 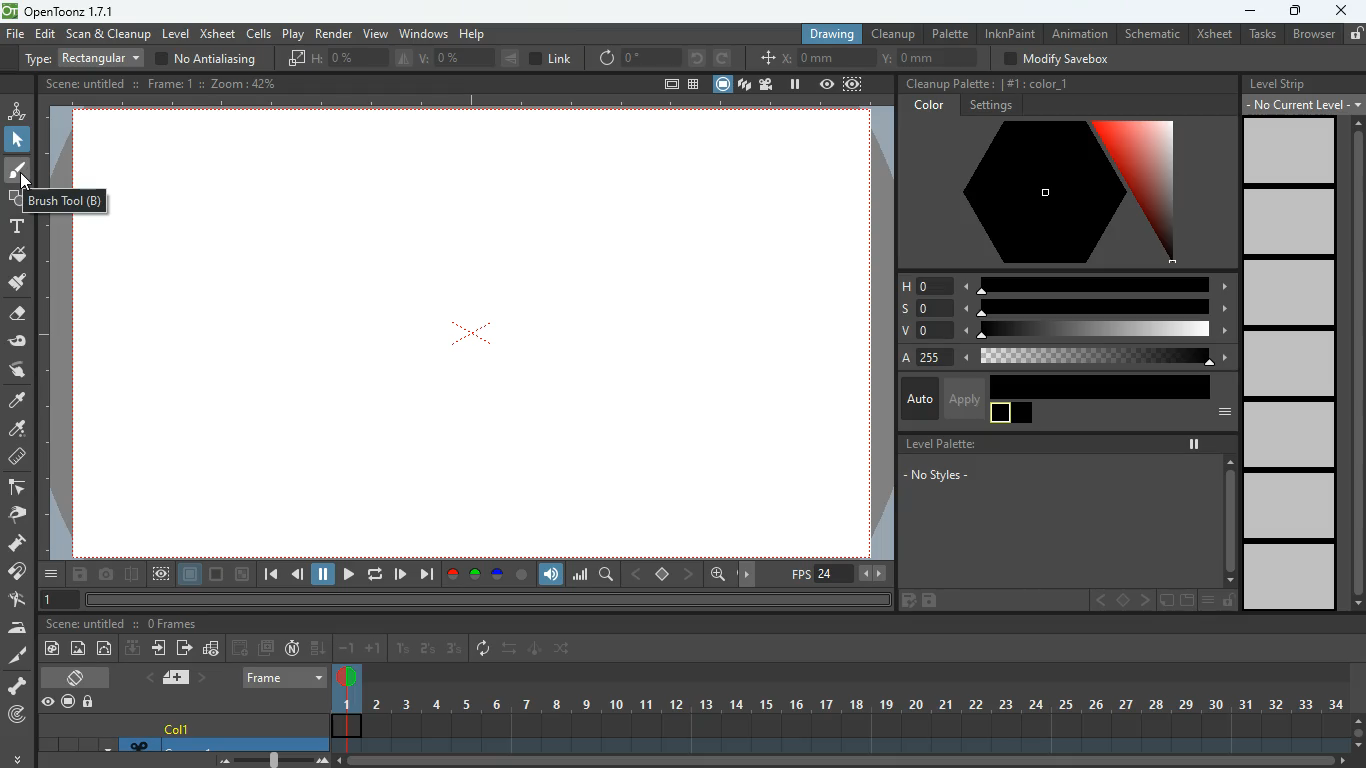 What do you see at coordinates (46, 34) in the screenshot?
I see `edit` at bounding box center [46, 34].